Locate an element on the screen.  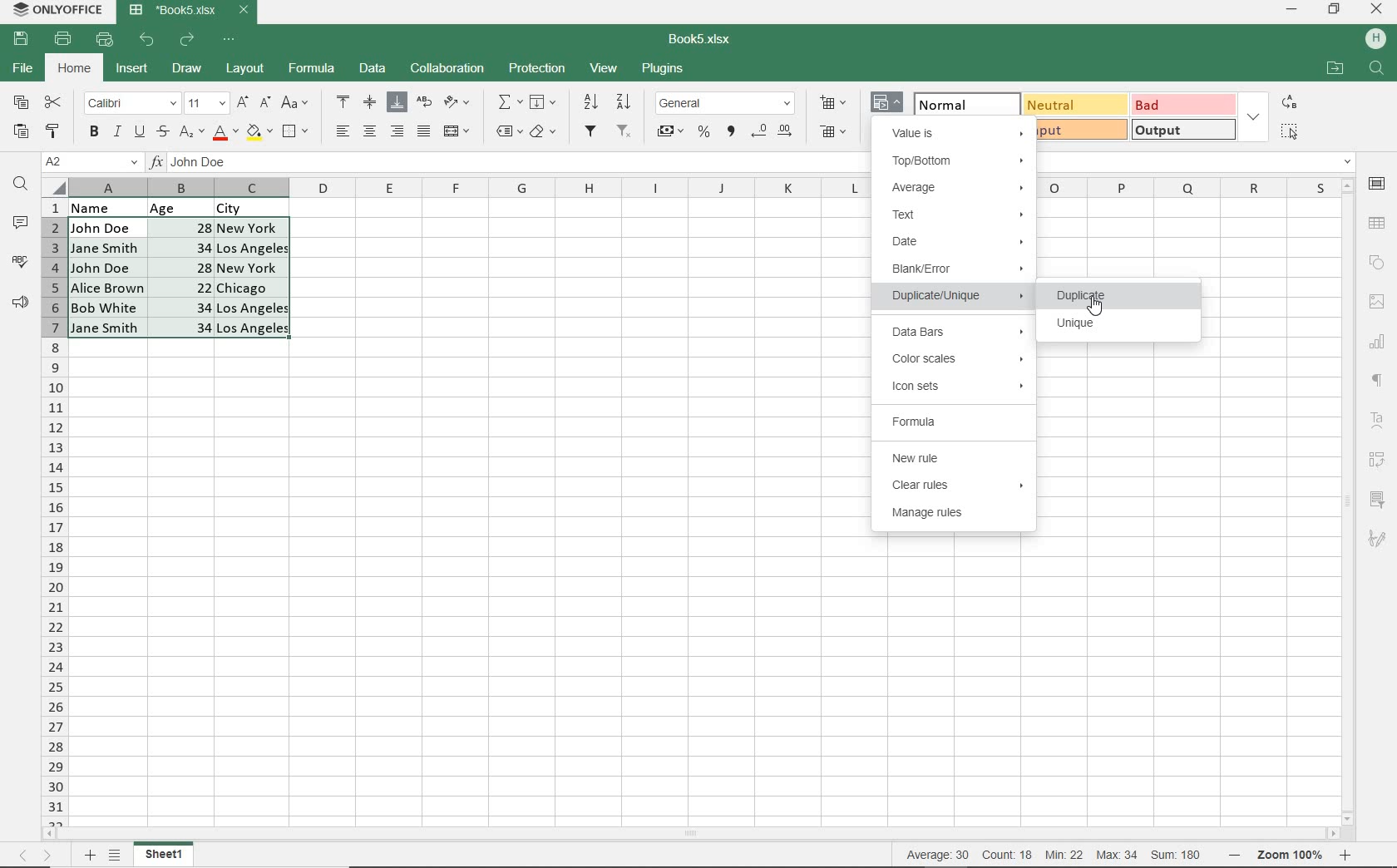
PLUGINS is located at coordinates (664, 70).